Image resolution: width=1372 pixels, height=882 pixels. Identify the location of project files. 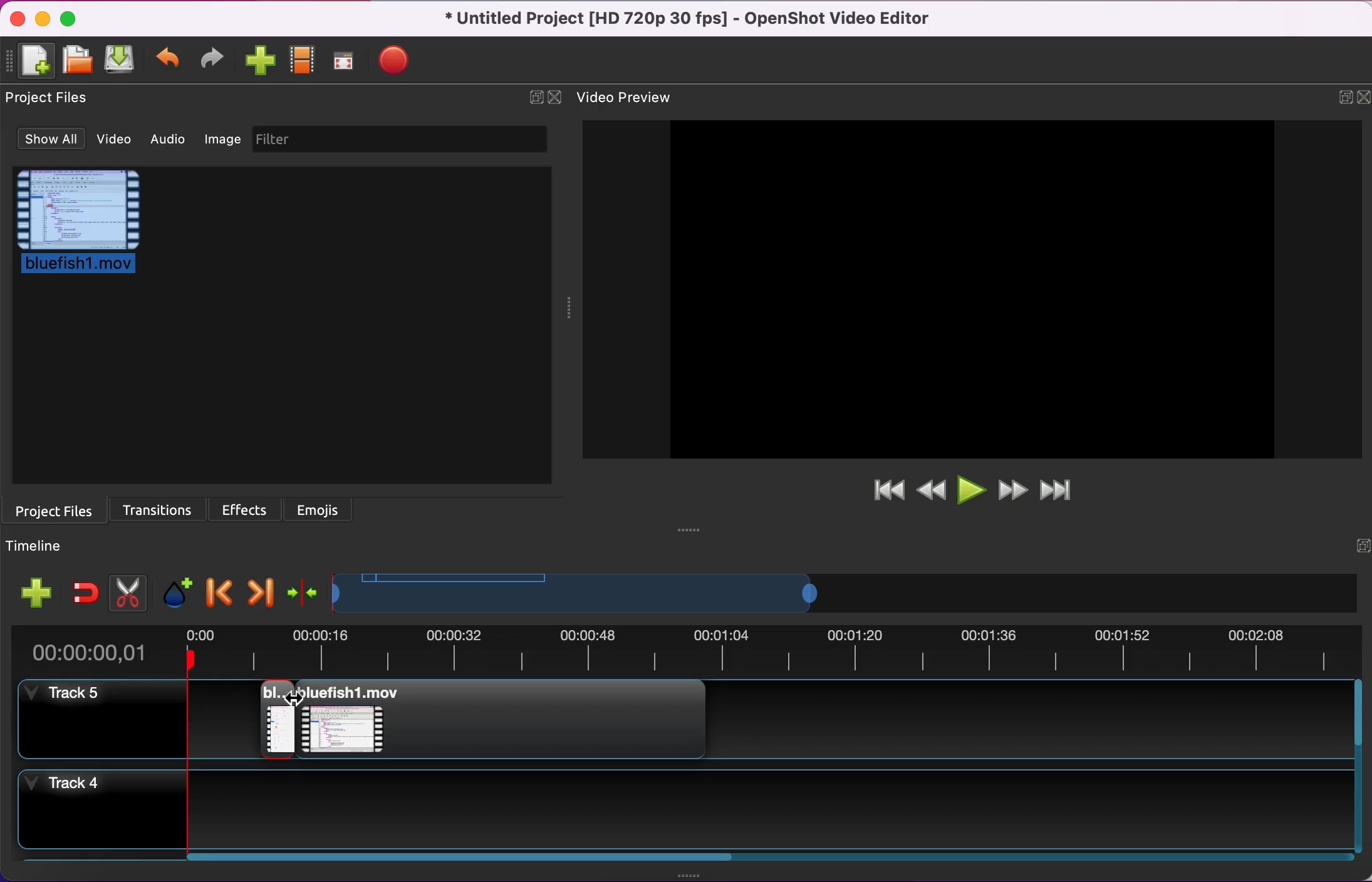
(48, 101).